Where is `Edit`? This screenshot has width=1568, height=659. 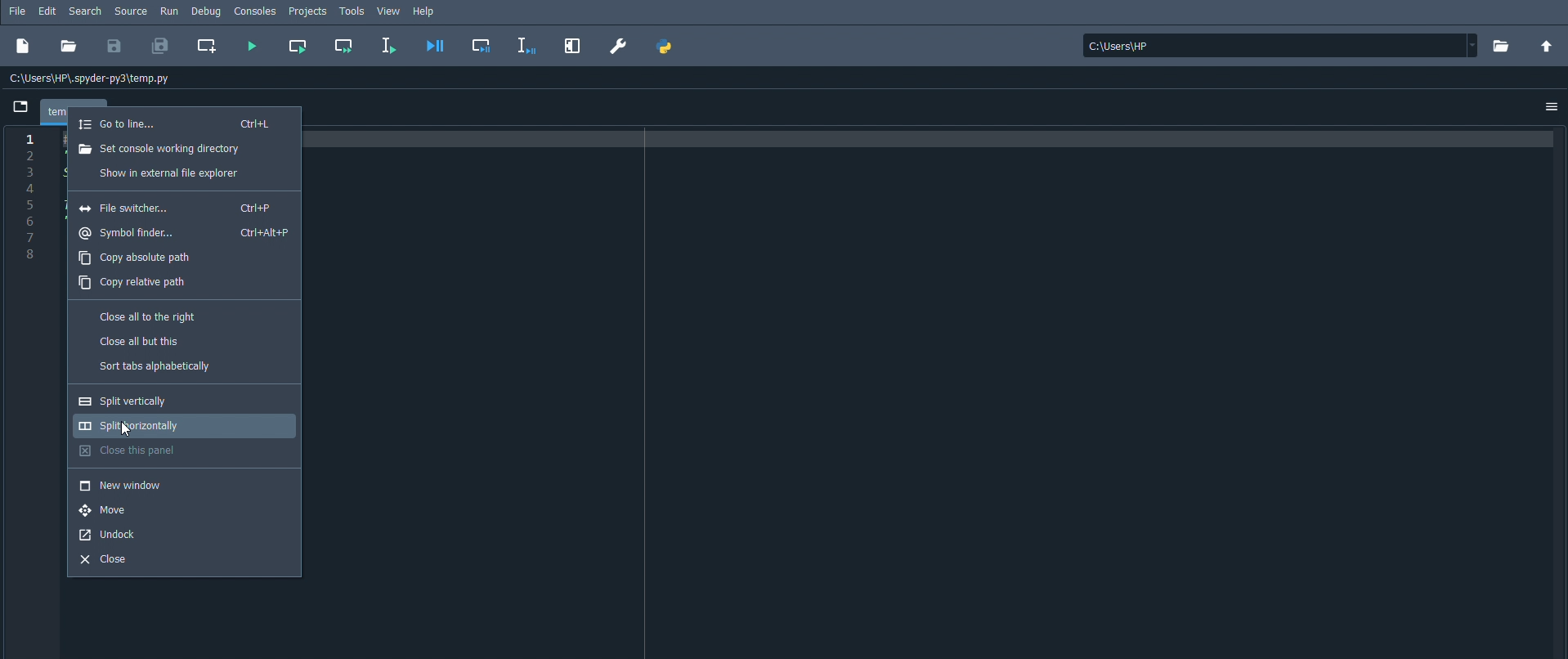 Edit is located at coordinates (48, 11).